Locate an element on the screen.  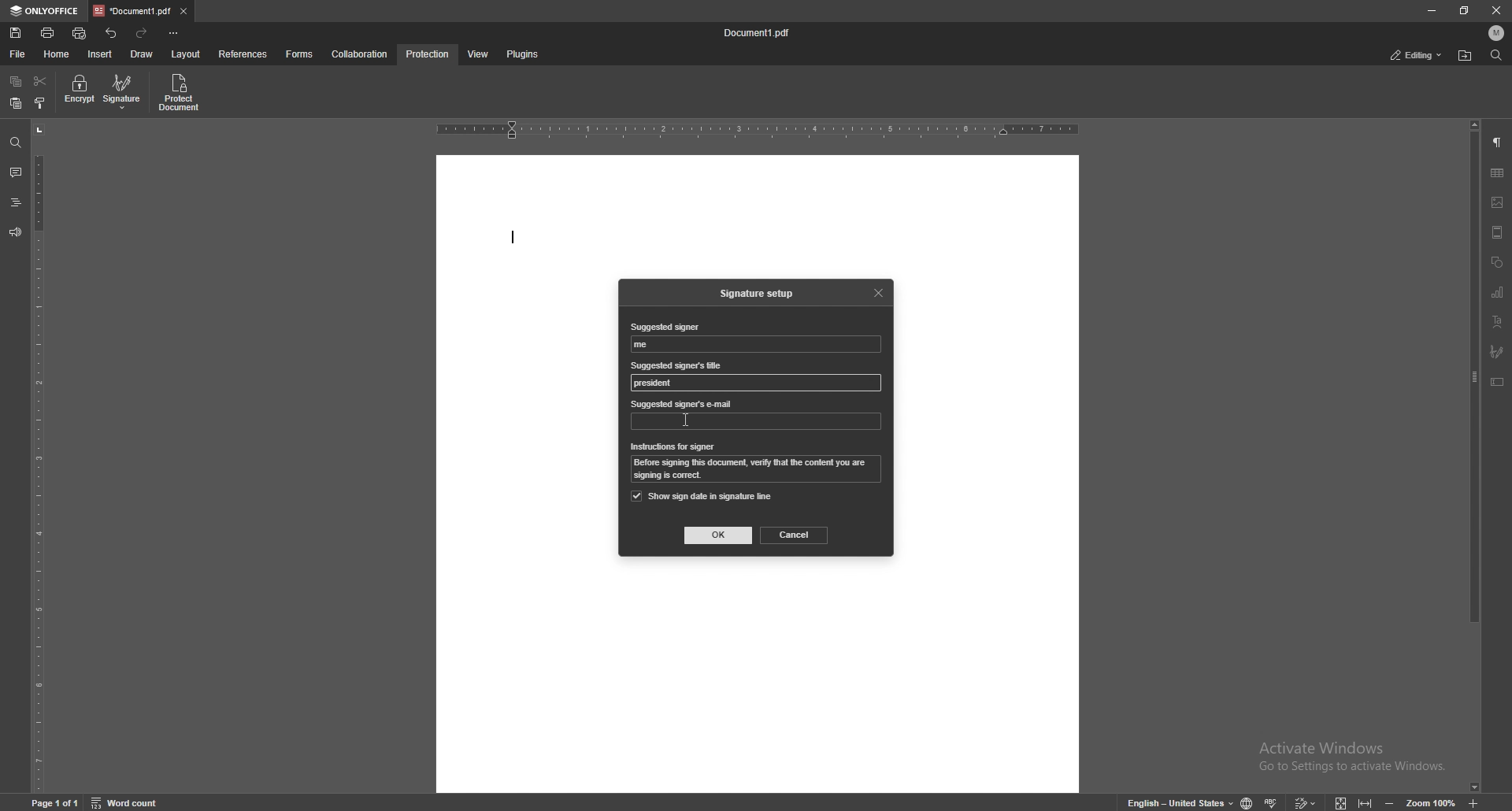
suggested signer's email is located at coordinates (683, 405).